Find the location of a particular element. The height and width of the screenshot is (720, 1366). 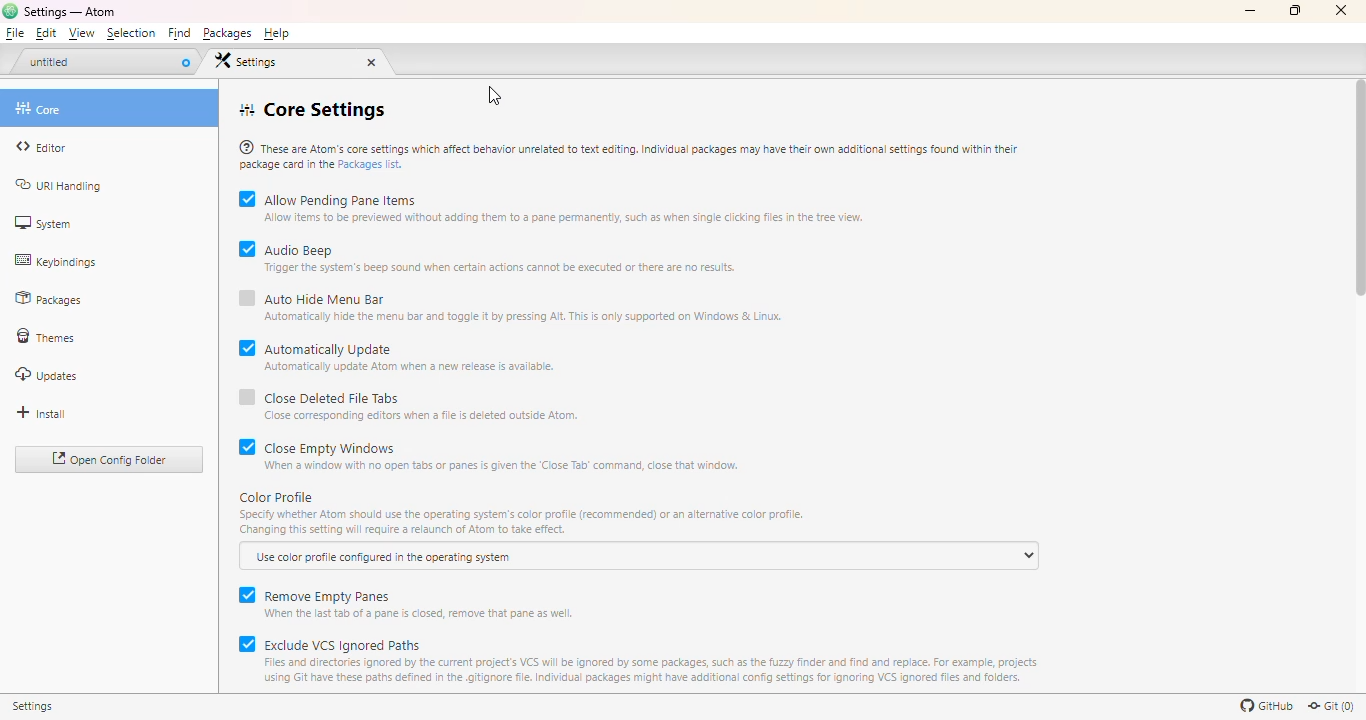

maximize is located at coordinates (1294, 9).